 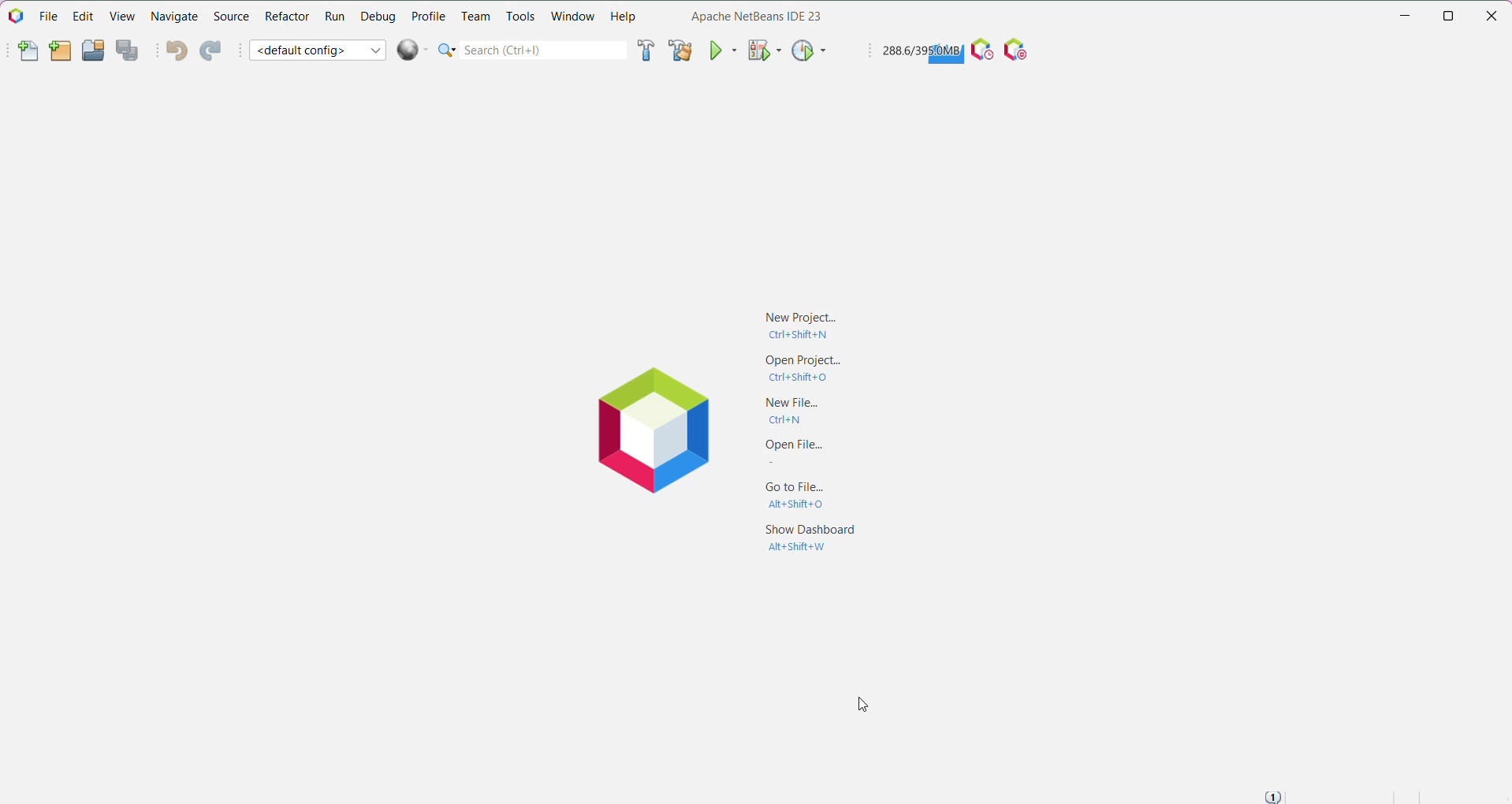 I want to click on Open Project, so click(x=796, y=368).